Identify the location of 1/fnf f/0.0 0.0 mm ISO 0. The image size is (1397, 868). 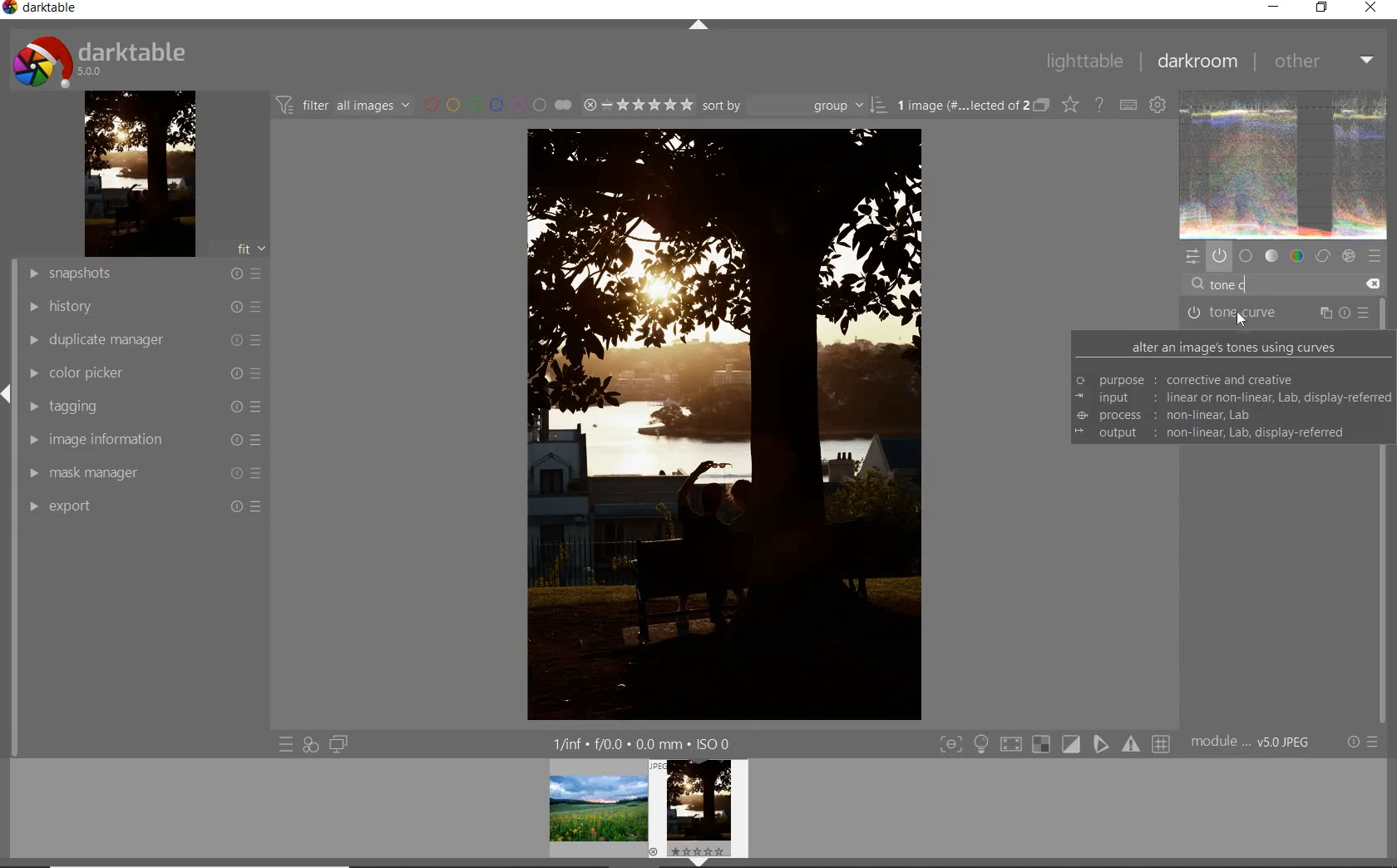
(645, 742).